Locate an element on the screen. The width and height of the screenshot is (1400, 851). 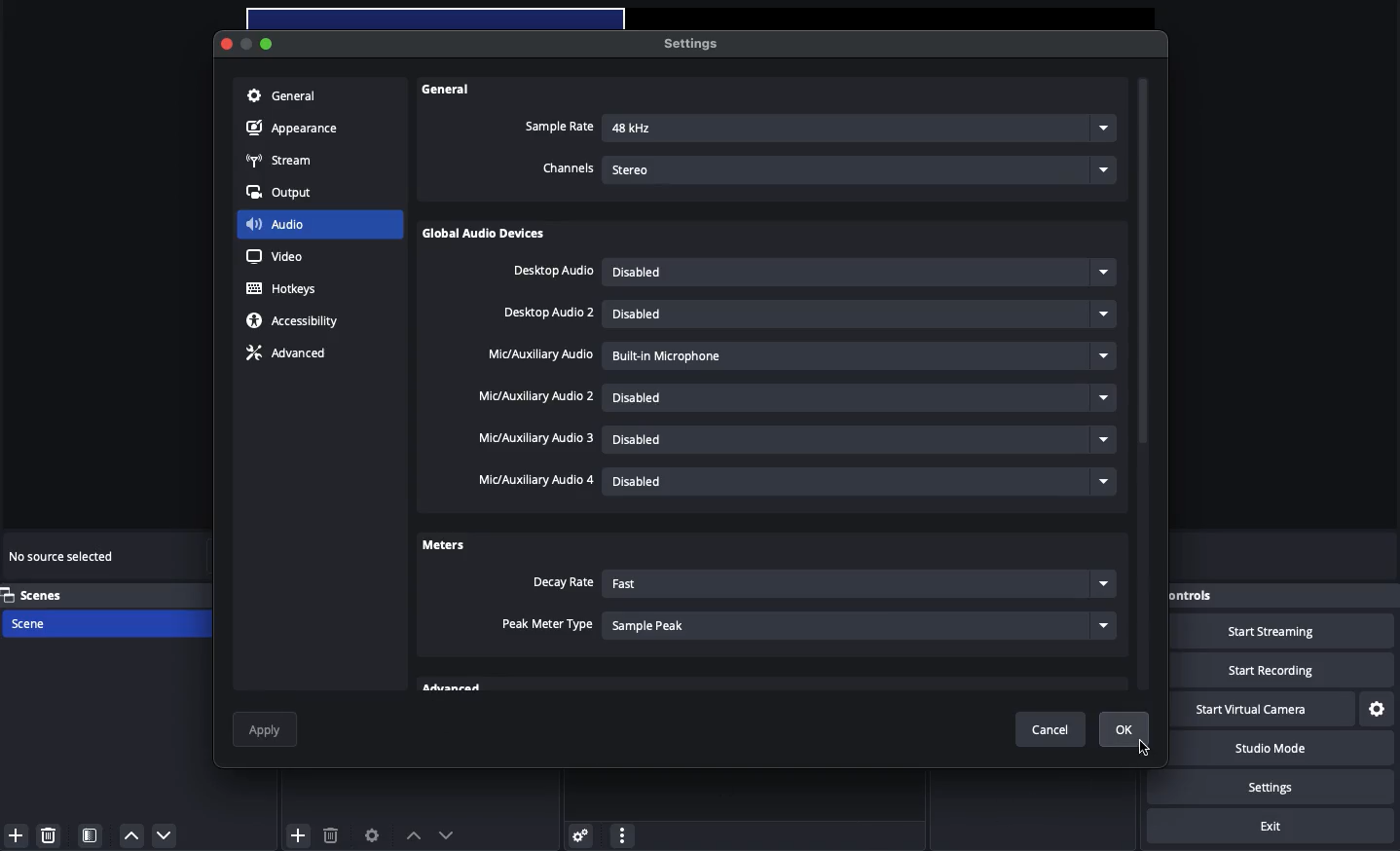
Close is located at coordinates (228, 45).